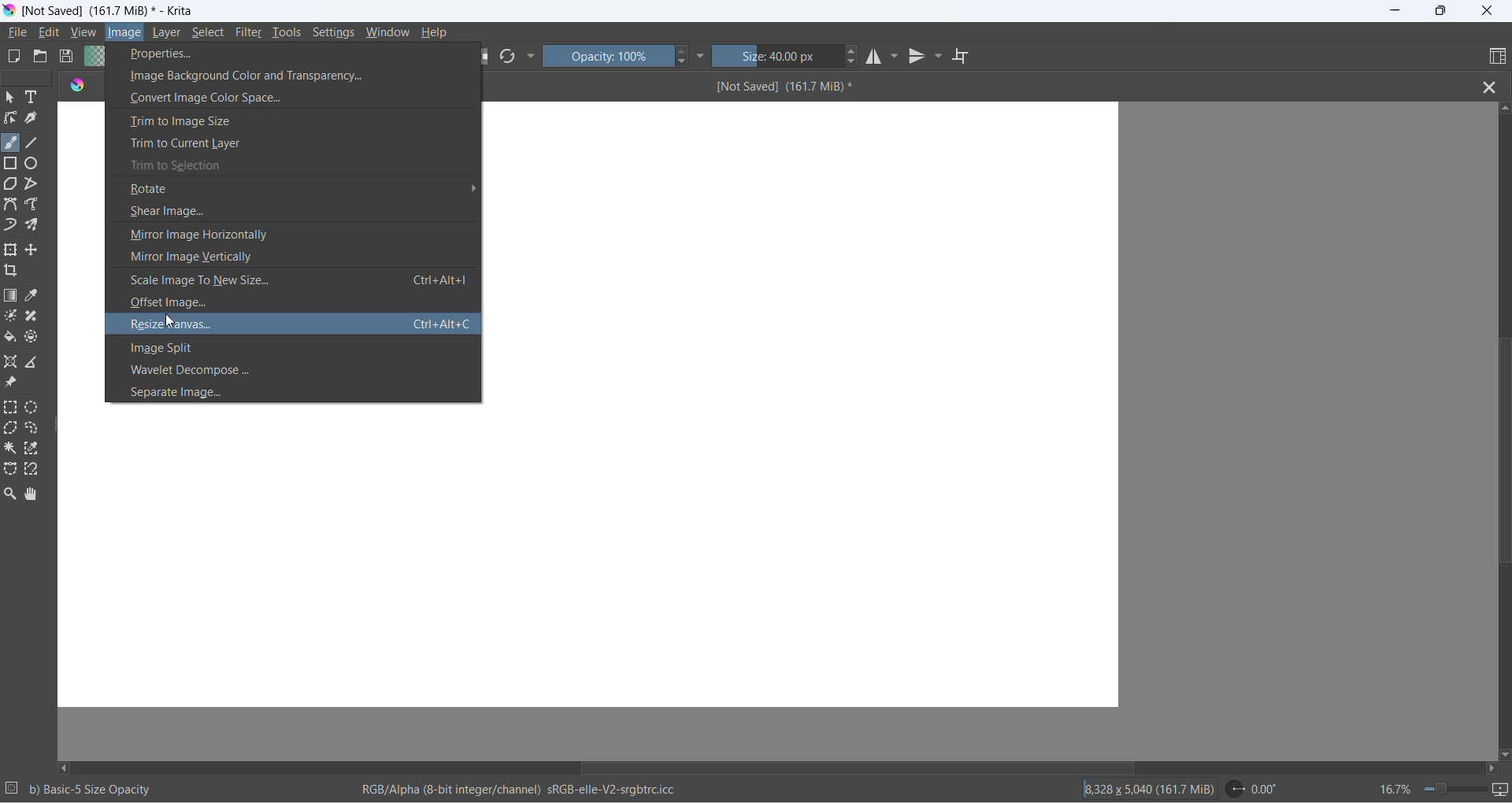 Image resolution: width=1512 pixels, height=803 pixels. What do you see at coordinates (292, 213) in the screenshot?
I see `shear image` at bounding box center [292, 213].